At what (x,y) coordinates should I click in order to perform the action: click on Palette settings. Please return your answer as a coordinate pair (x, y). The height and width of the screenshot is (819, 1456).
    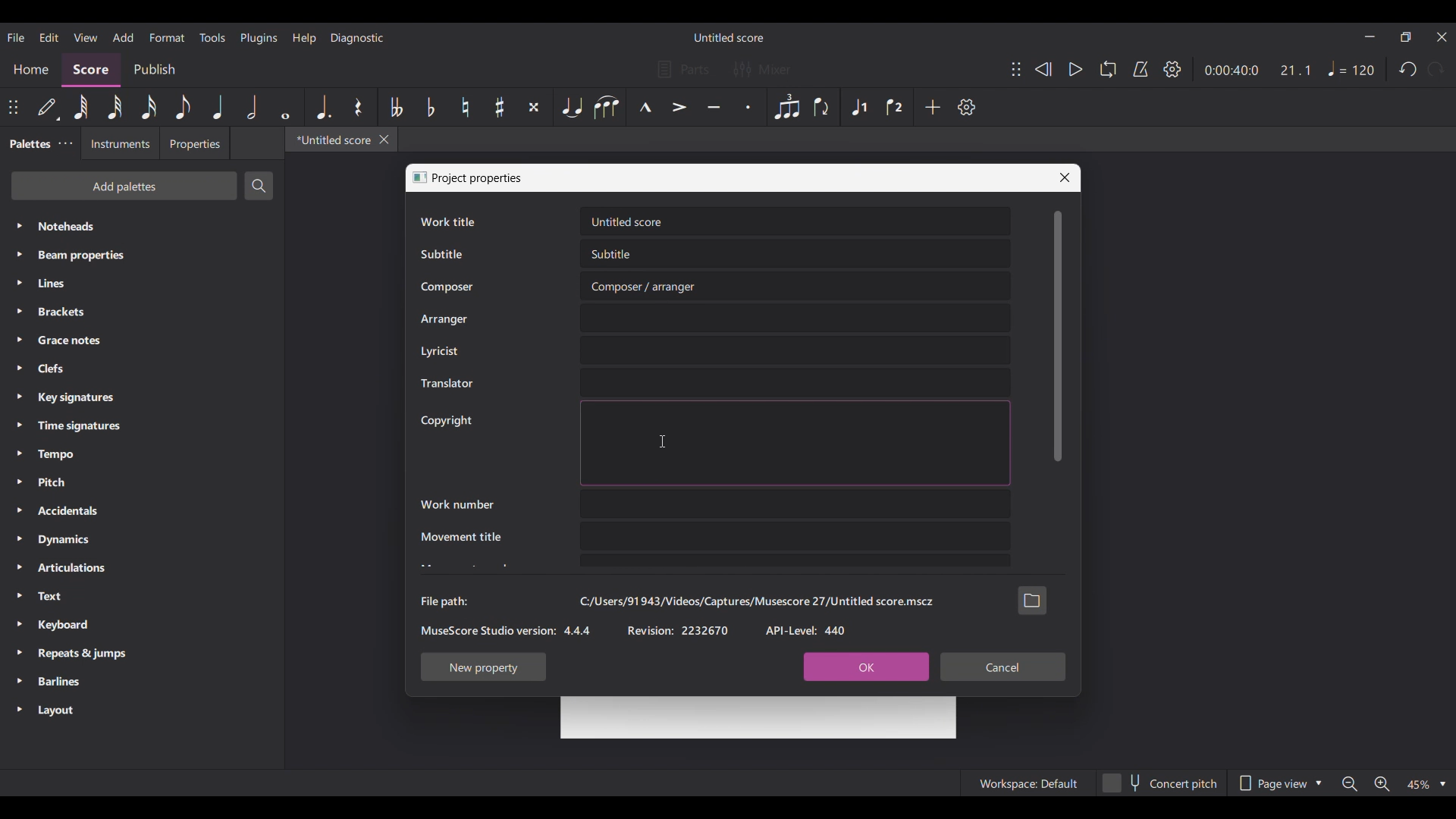
    Looking at the image, I should click on (66, 143).